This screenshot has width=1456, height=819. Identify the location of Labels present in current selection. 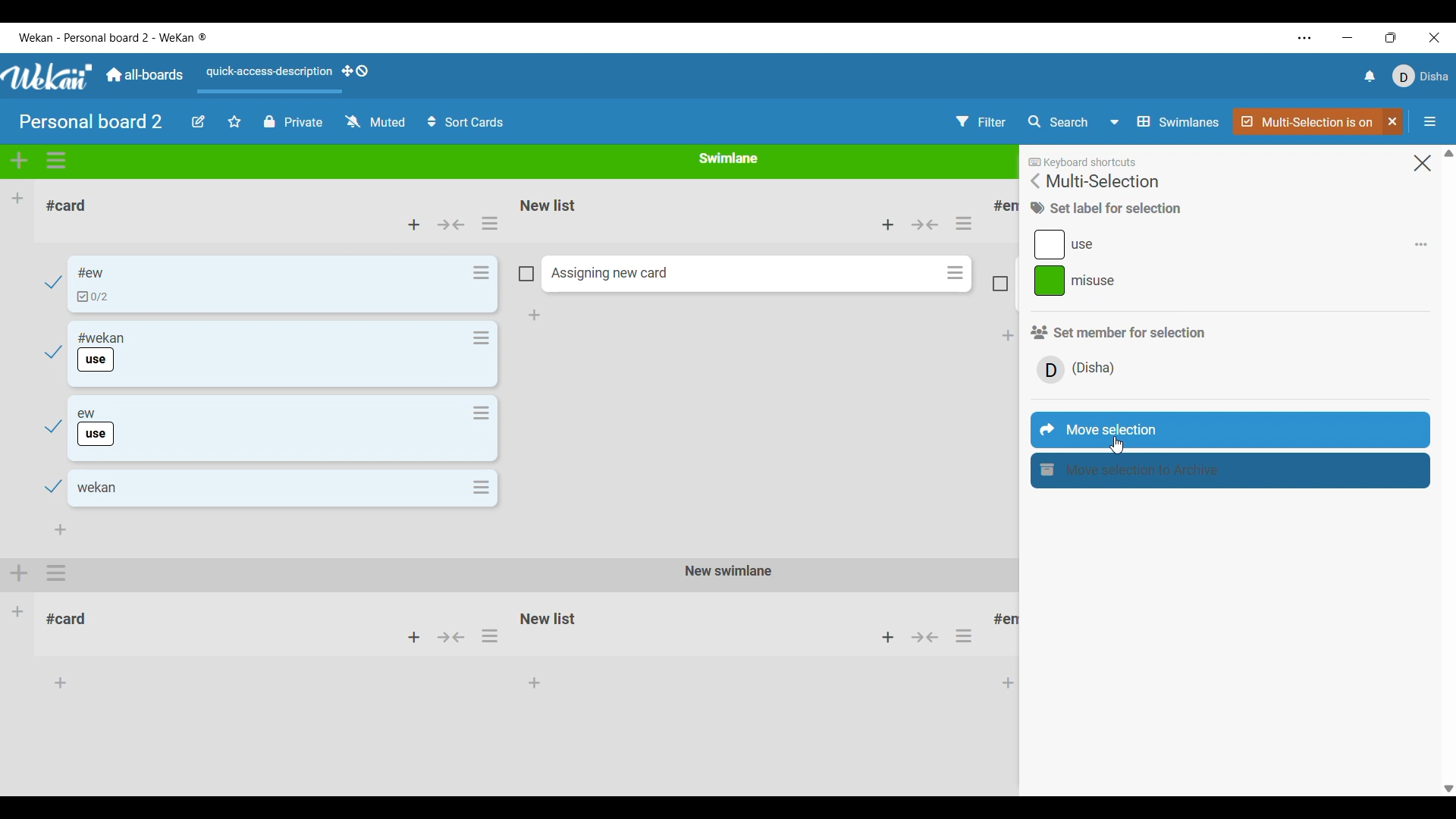
(1222, 263).